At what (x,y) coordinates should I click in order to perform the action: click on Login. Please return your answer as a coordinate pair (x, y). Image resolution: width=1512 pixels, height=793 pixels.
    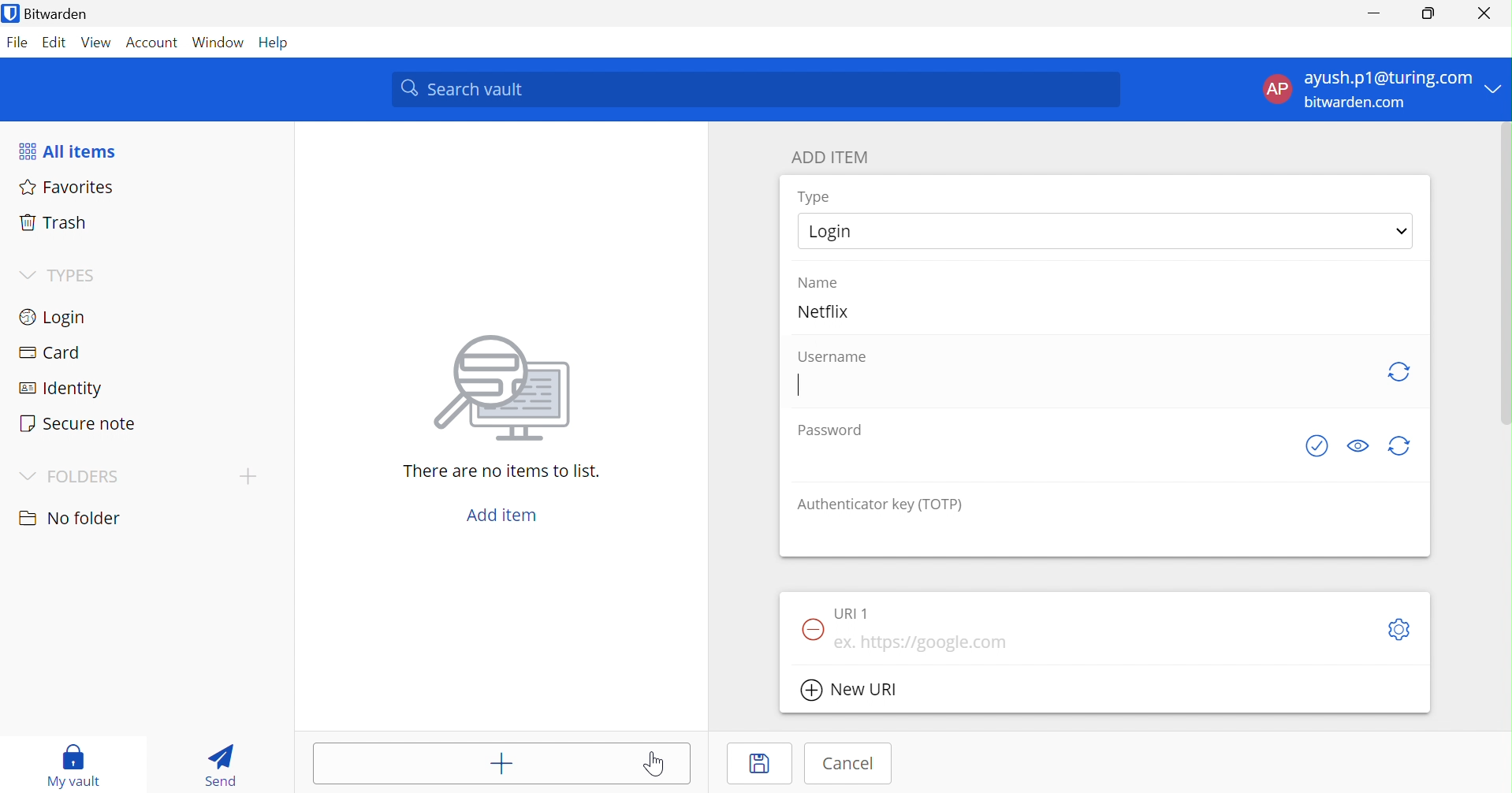
    Looking at the image, I should click on (1107, 231).